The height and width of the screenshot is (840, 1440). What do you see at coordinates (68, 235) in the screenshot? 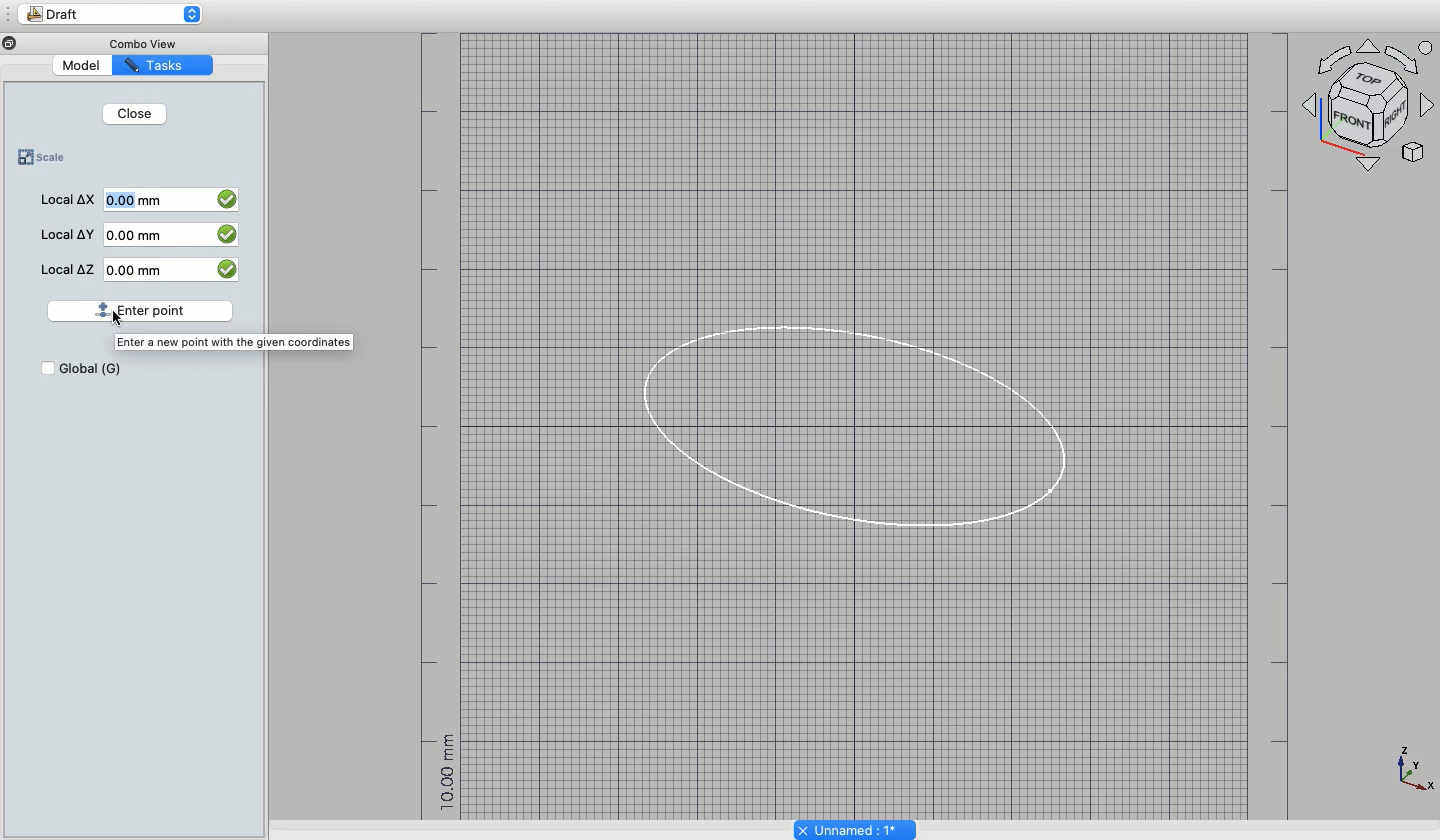
I see `Local Y` at bounding box center [68, 235].